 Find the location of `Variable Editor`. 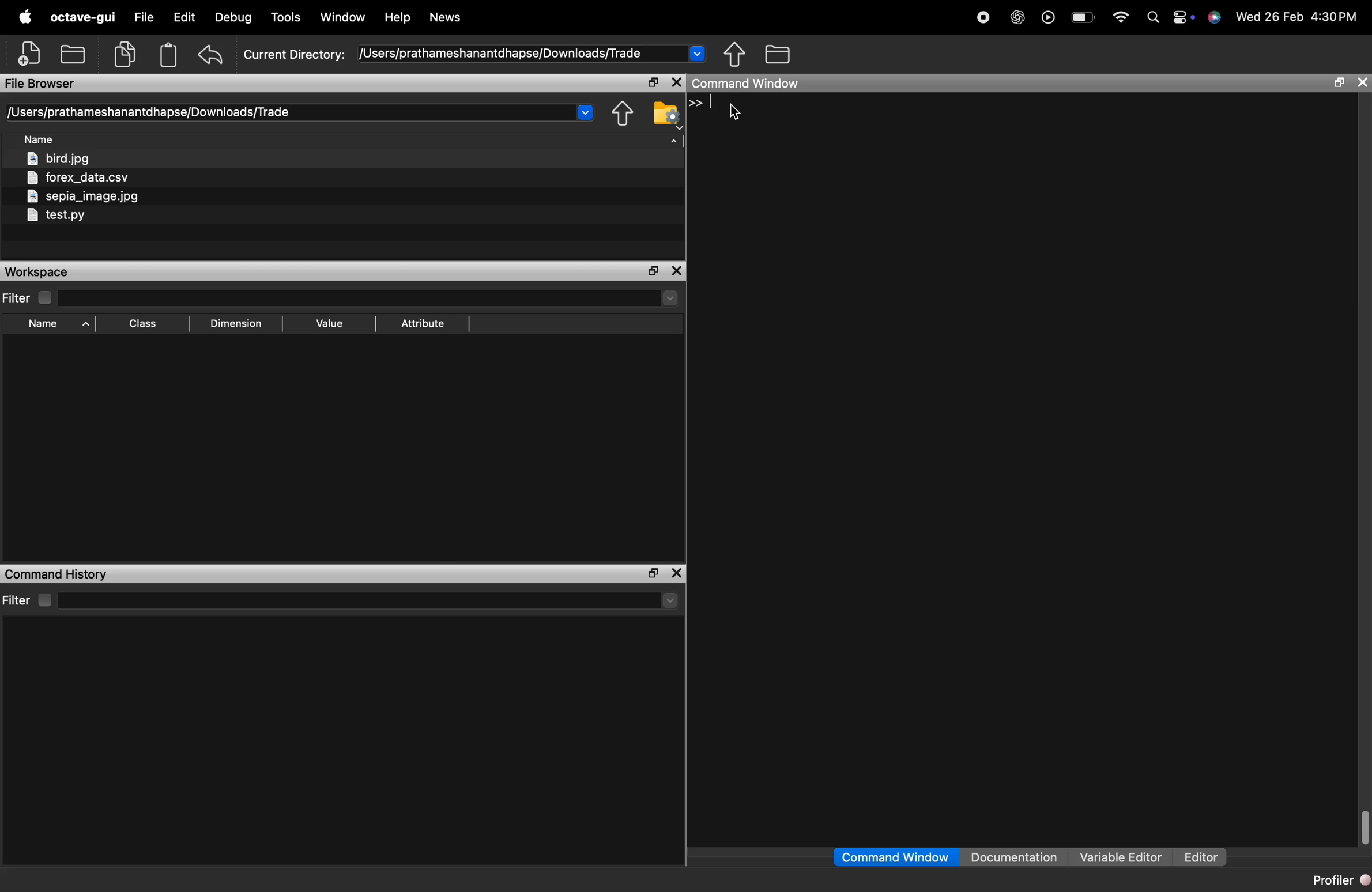

Variable Editor is located at coordinates (1121, 856).